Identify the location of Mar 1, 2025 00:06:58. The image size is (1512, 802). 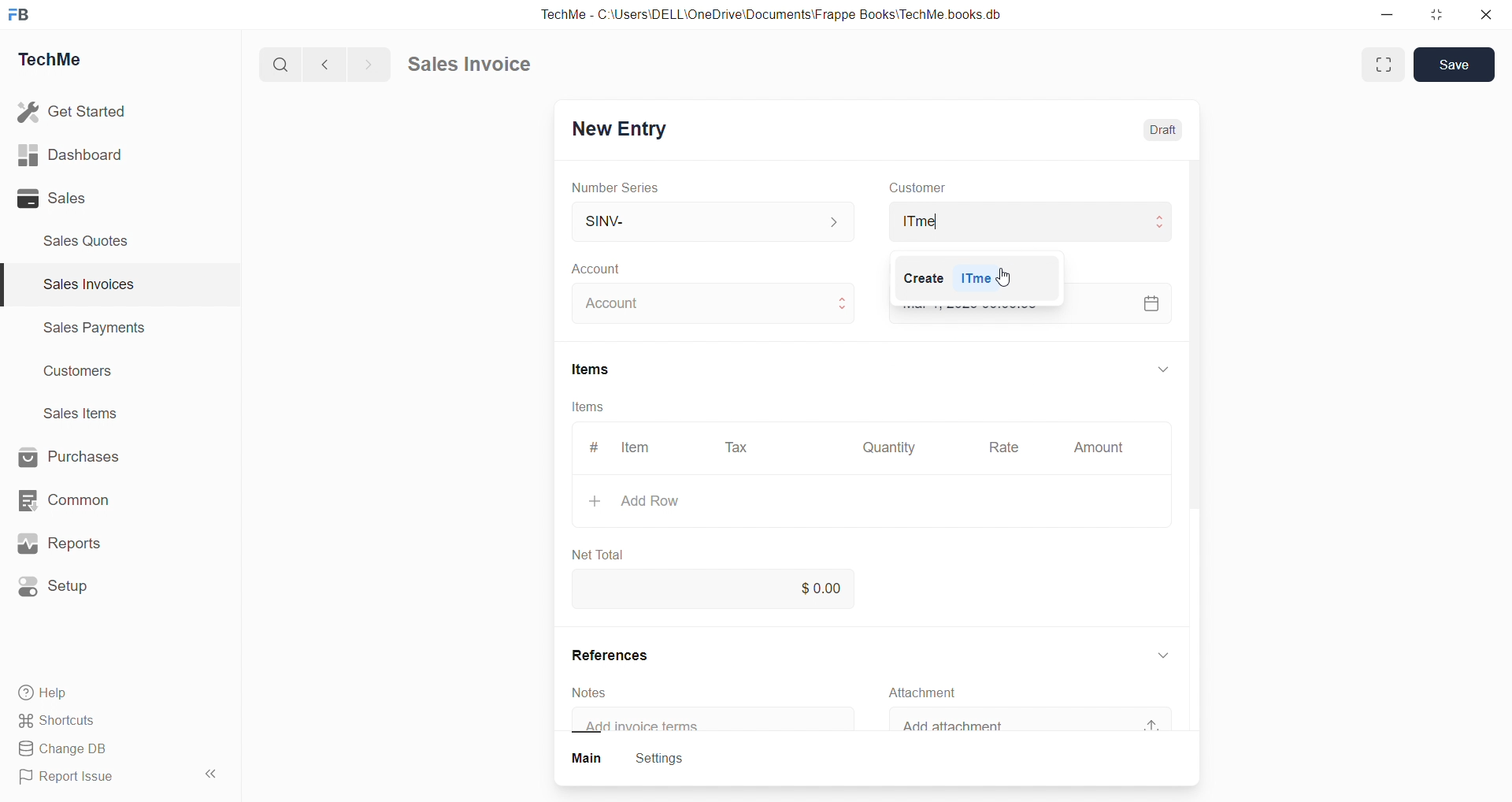
(980, 302).